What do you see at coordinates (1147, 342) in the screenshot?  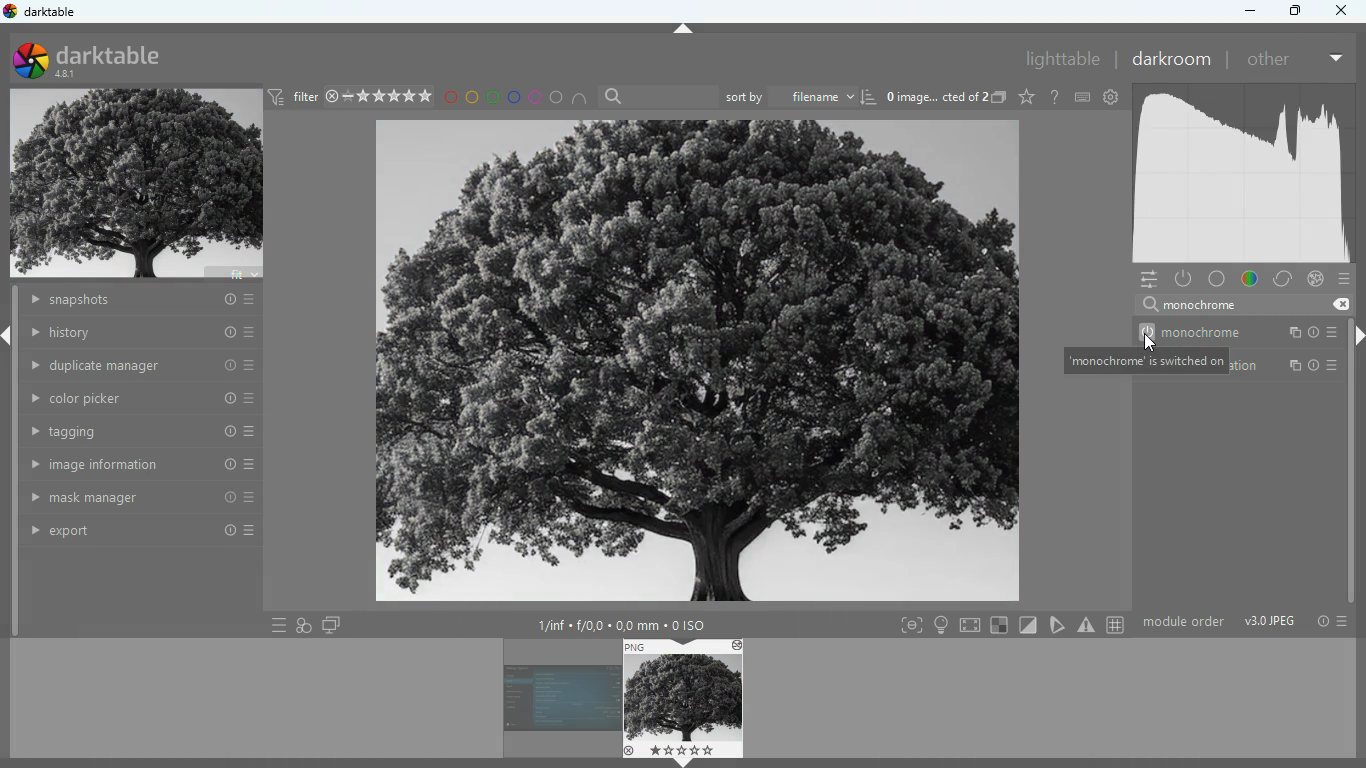 I see `cursor` at bounding box center [1147, 342].